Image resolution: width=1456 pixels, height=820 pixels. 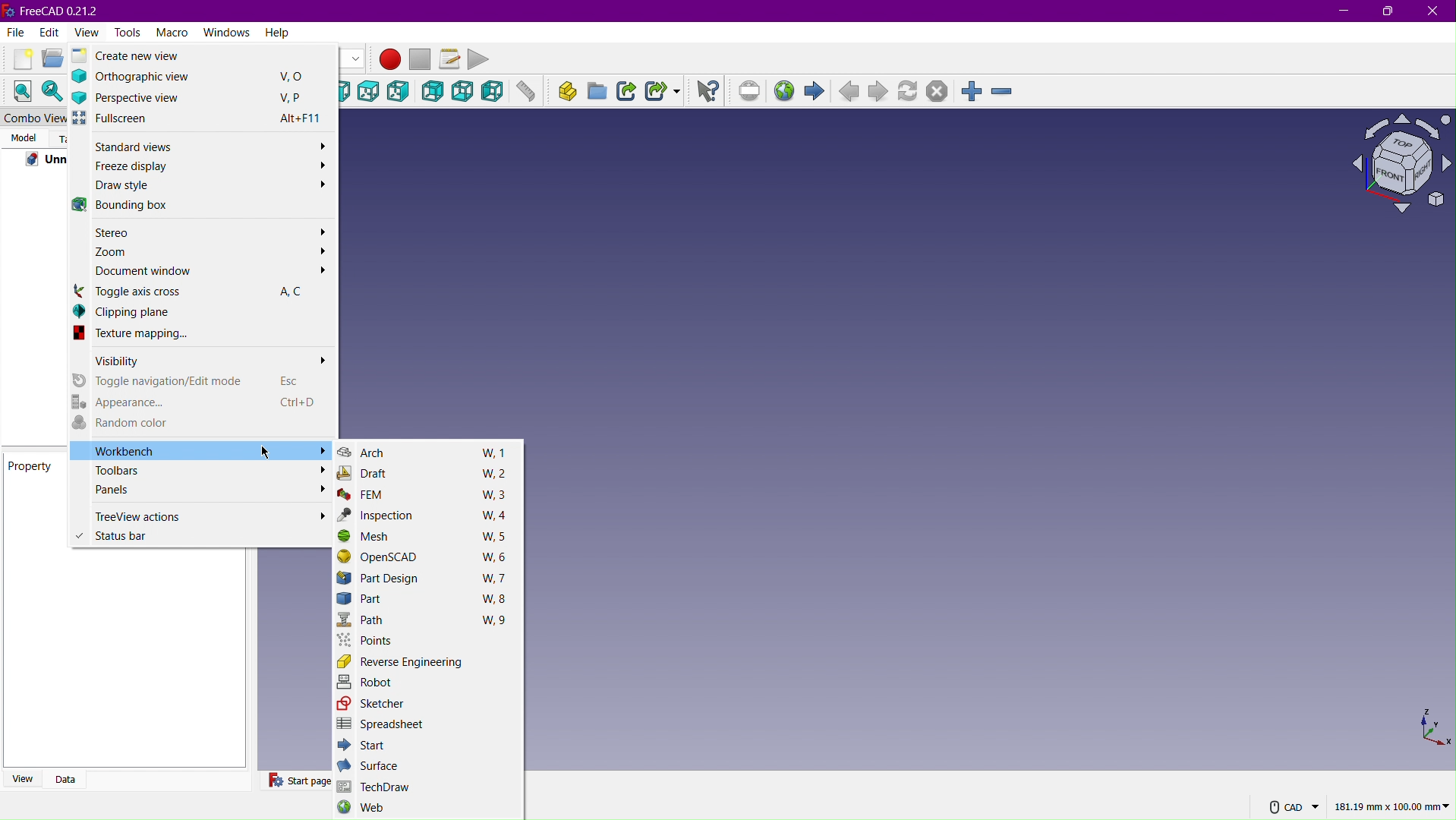 What do you see at coordinates (707, 93) in the screenshot?
I see `What's this?` at bounding box center [707, 93].